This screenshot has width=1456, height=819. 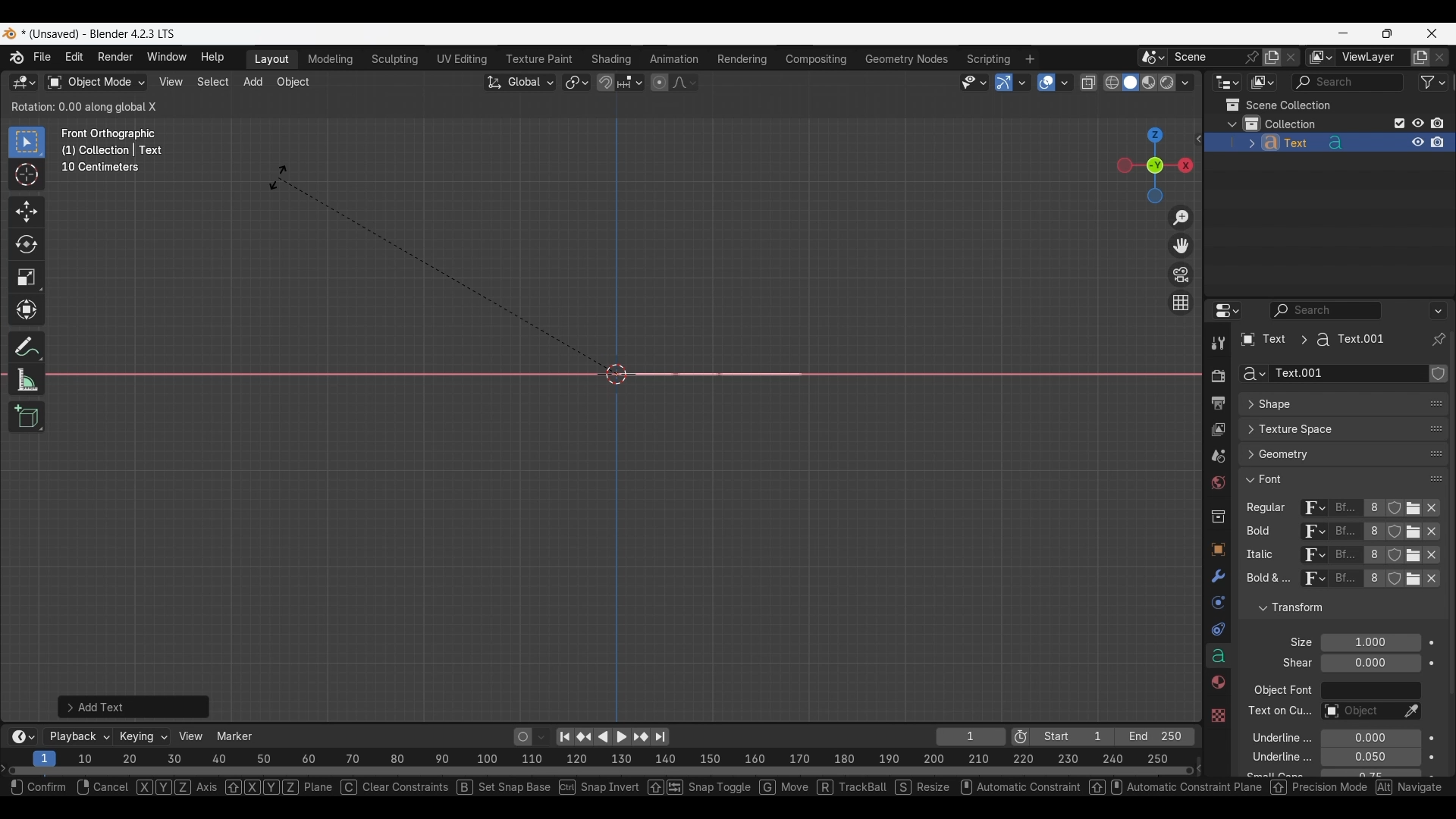 I want to click on Exclude from view layer, so click(x=1400, y=123).